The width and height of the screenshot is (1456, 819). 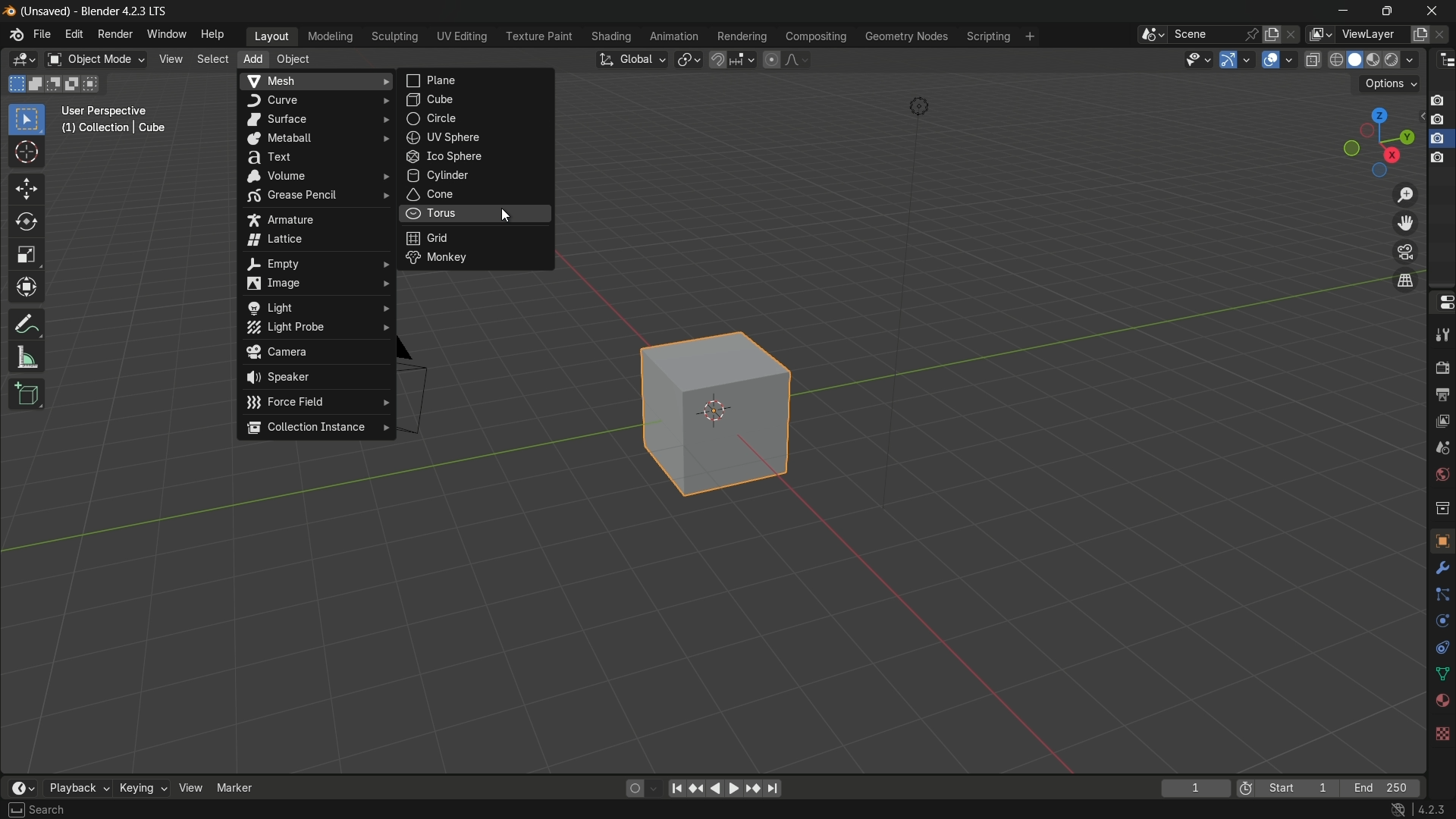 What do you see at coordinates (475, 259) in the screenshot?
I see `monkey` at bounding box center [475, 259].